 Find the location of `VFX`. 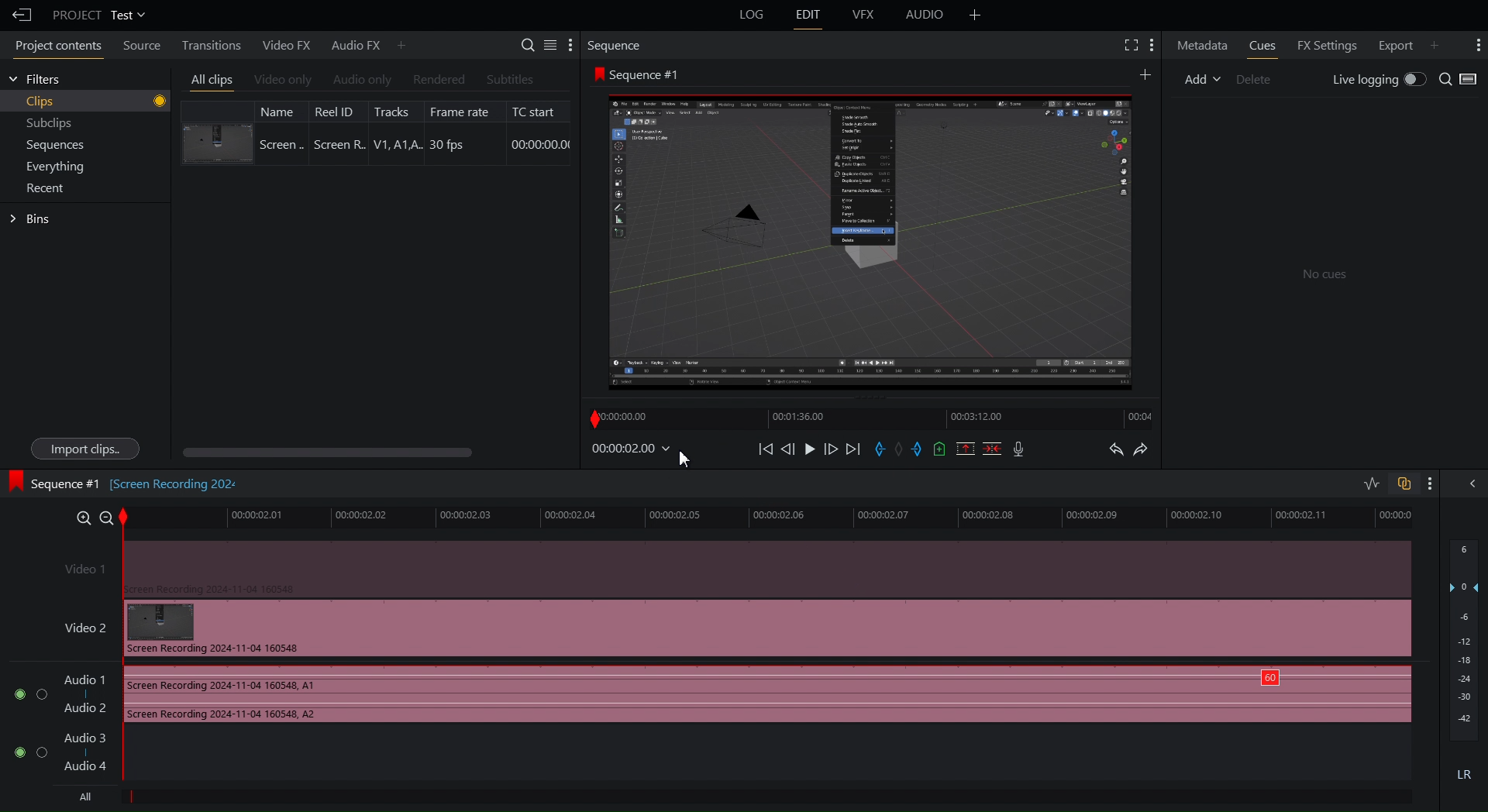

VFX is located at coordinates (866, 15).